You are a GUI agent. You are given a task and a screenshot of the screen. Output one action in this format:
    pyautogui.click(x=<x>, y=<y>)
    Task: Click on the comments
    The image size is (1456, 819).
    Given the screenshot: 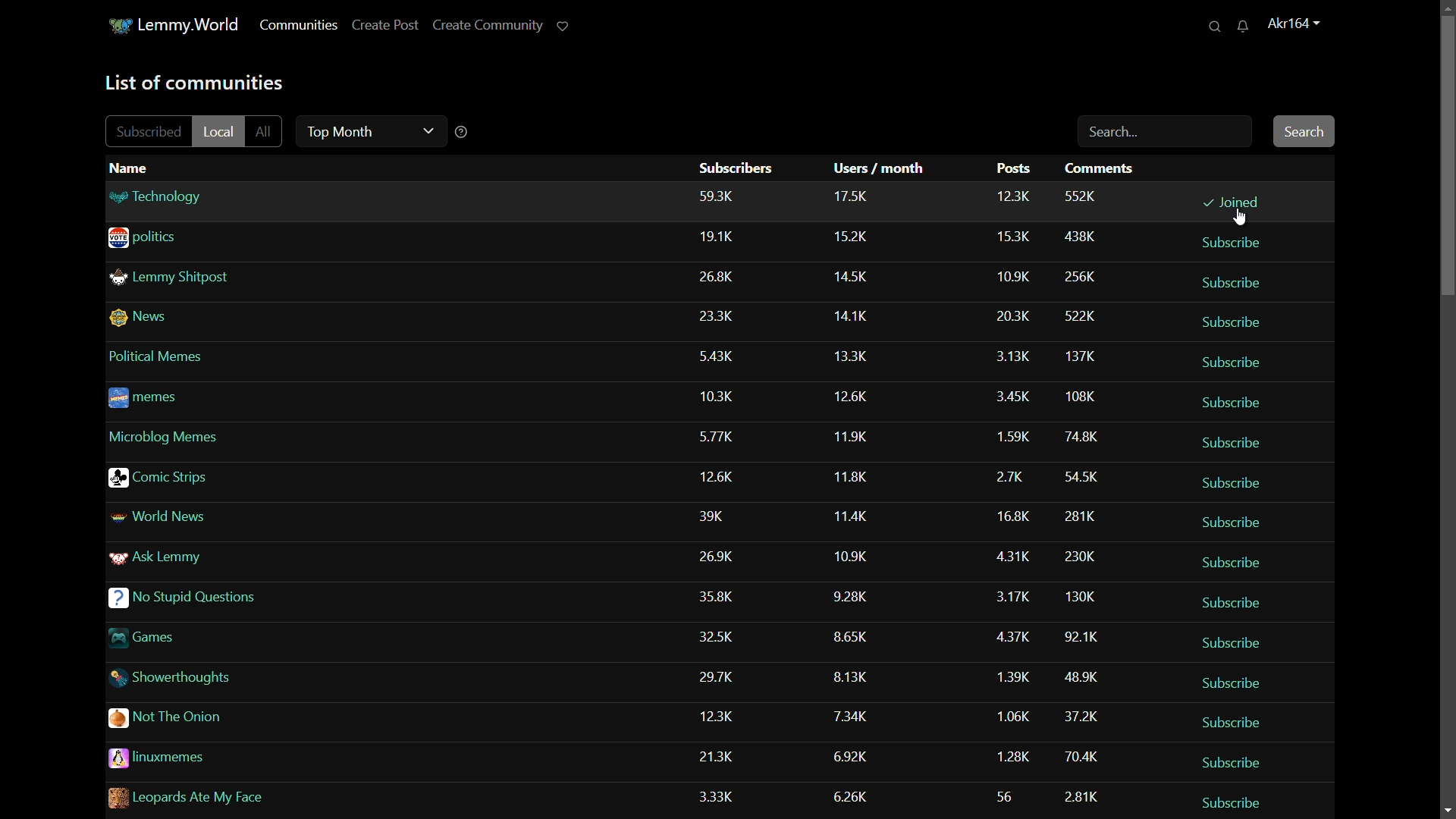 What is the action you would take?
    pyautogui.click(x=1080, y=398)
    